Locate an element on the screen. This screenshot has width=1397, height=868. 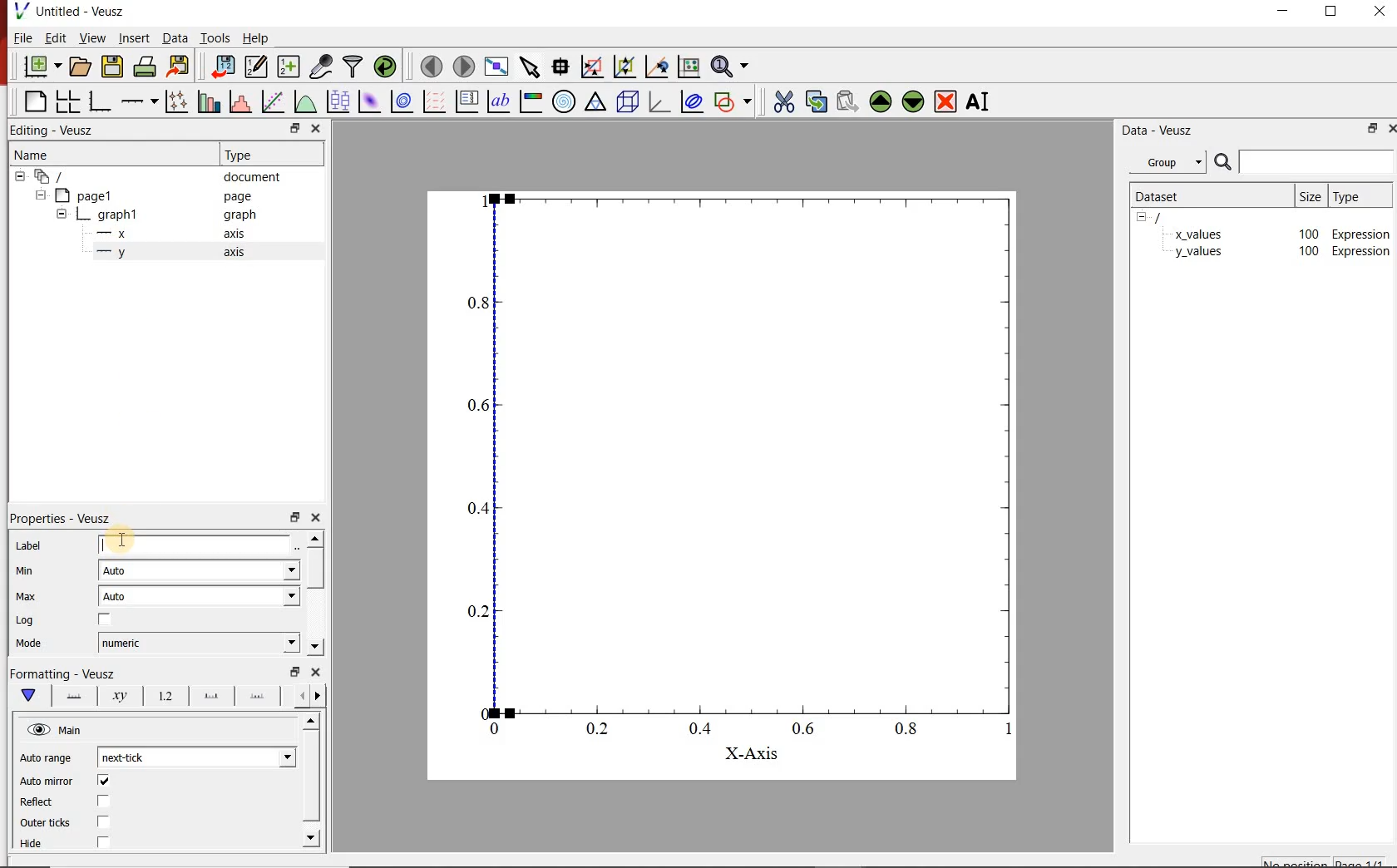
select items from the graph is located at coordinates (531, 67).